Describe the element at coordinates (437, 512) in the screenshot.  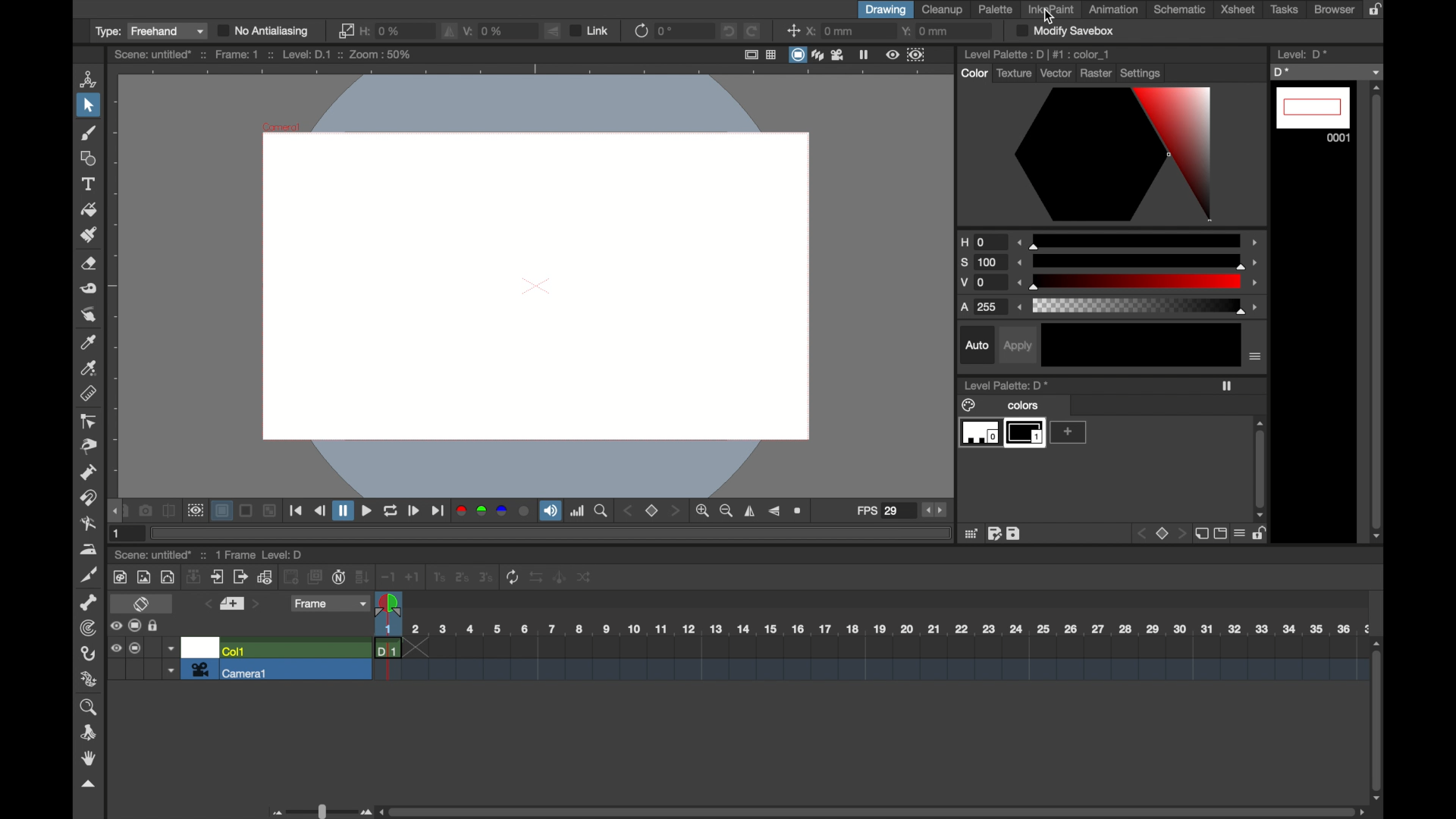
I see `last frame` at that location.